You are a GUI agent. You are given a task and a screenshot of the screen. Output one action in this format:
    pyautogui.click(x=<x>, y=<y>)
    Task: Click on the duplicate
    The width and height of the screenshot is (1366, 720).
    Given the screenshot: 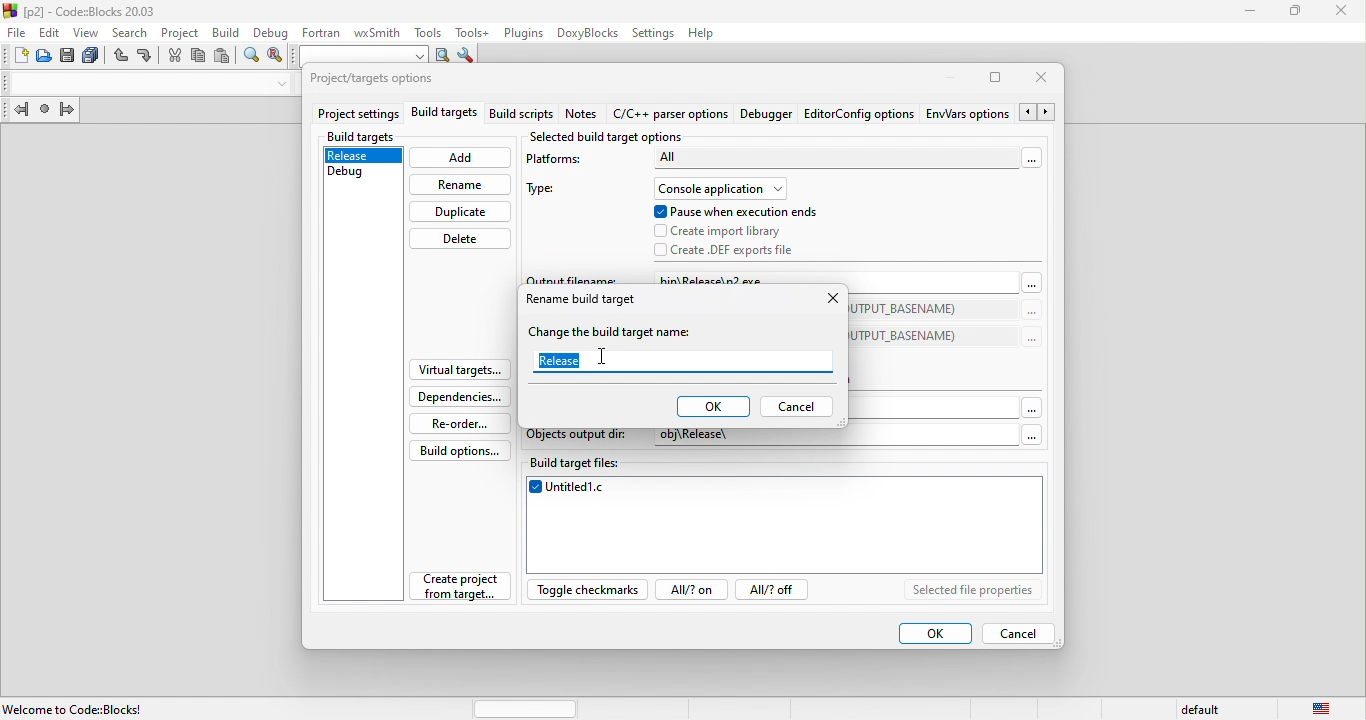 What is the action you would take?
    pyautogui.click(x=461, y=211)
    